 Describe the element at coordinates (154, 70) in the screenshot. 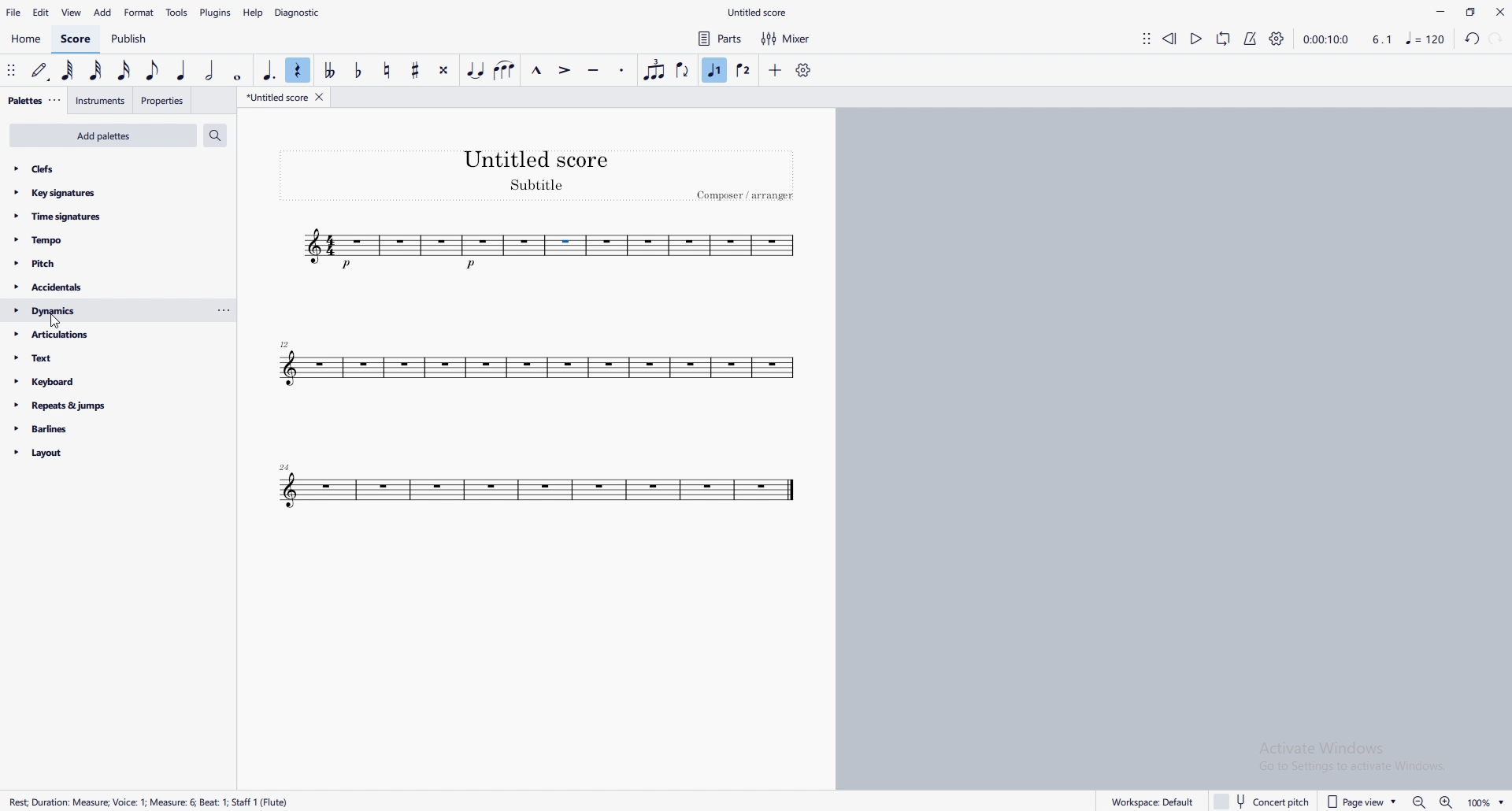

I see `eighth note` at that location.